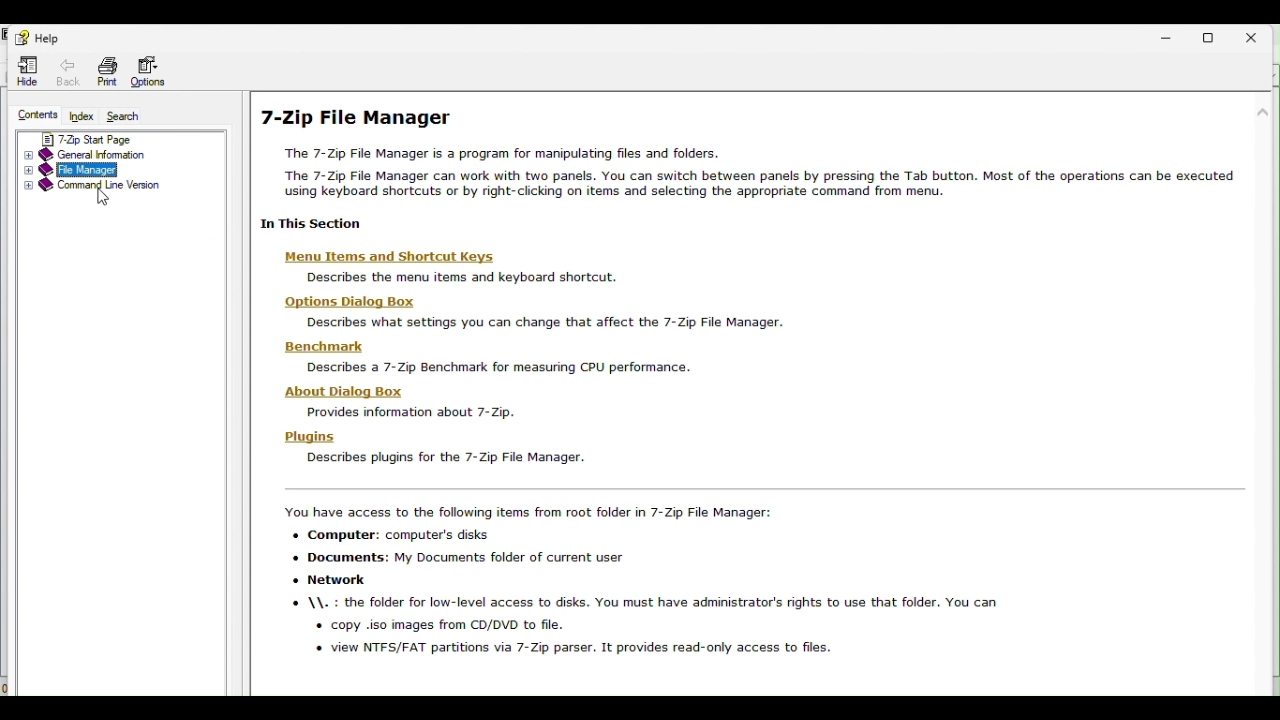 Image resolution: width=1280 pixels, height=720 pixels. I want to click on plugins, so click(310, 437).